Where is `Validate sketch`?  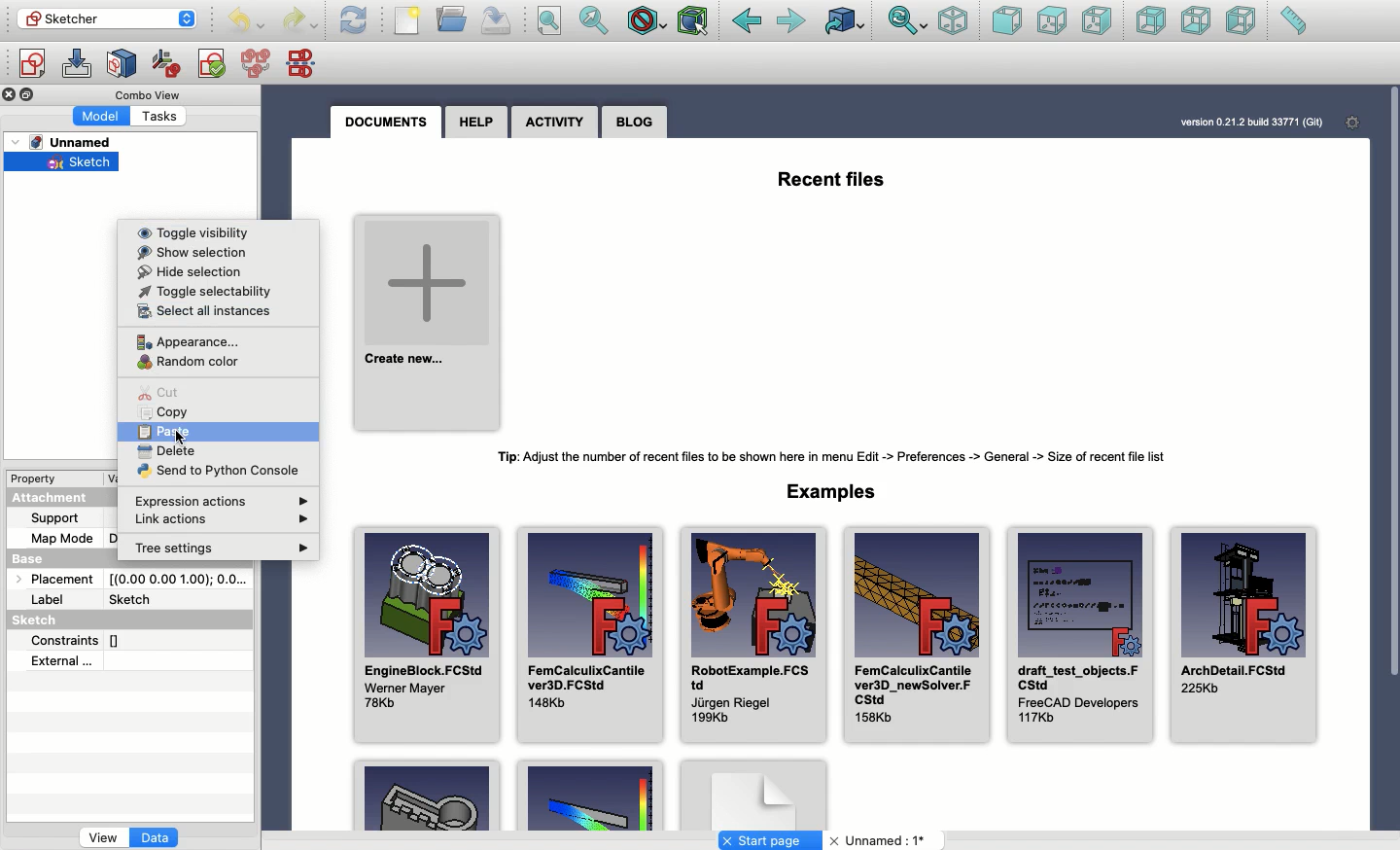 Validate sketch is located at coordinates (212, 67).